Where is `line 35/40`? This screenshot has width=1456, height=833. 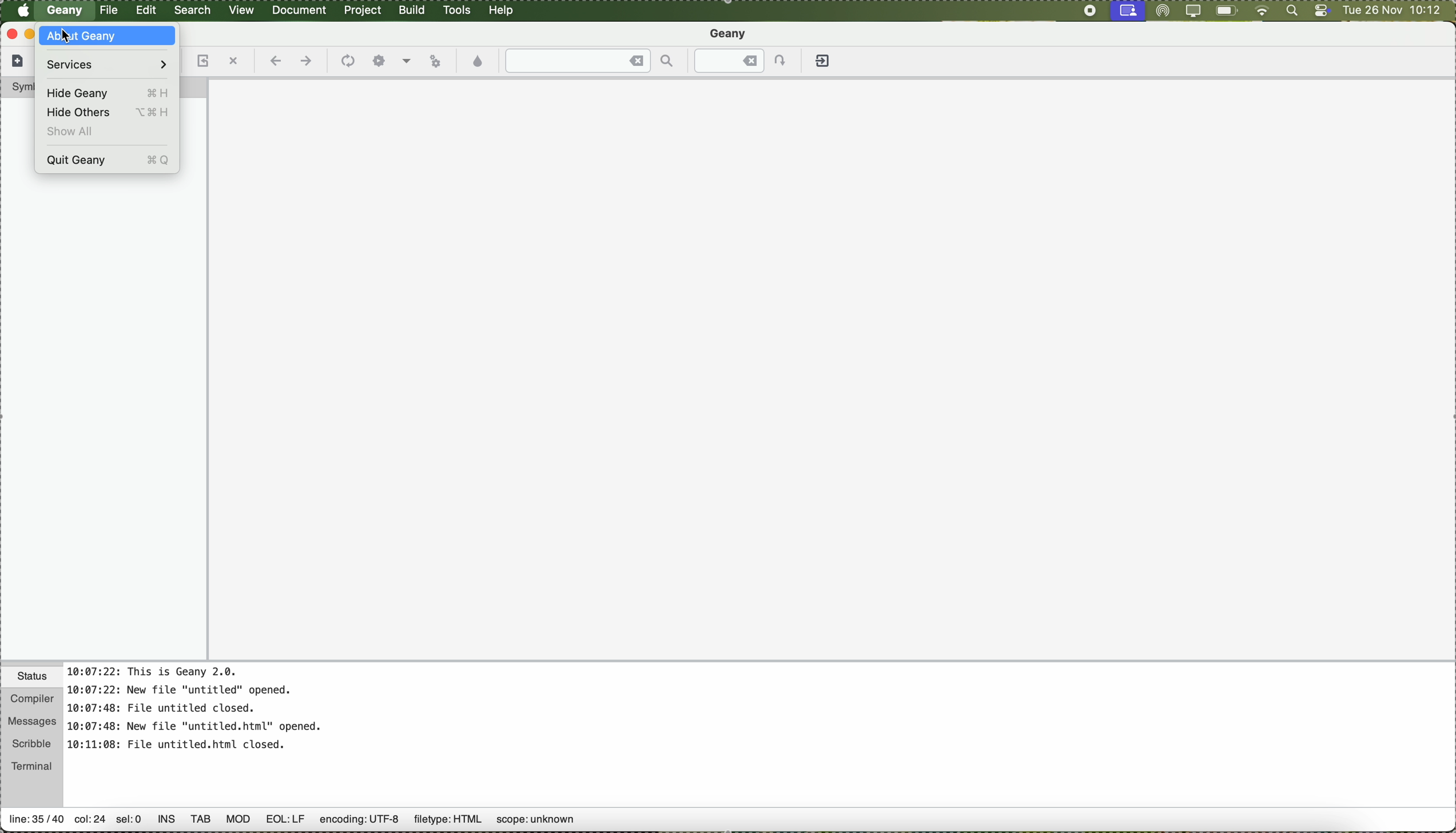 line 35/40 is located at coordinates (36, 822).